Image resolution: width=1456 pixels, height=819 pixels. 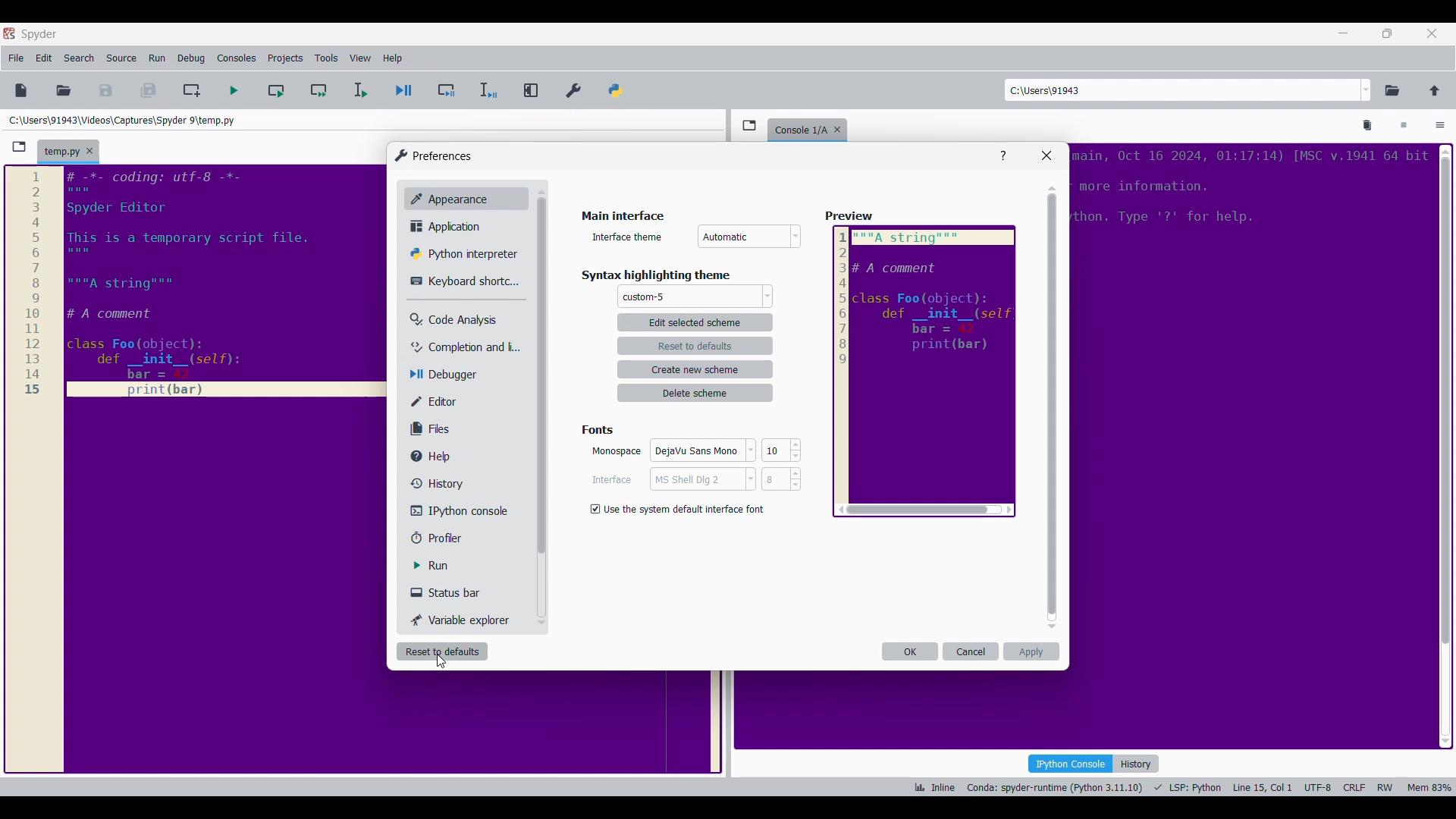 What do you see at coordinates (360, 91) in the screenshot?
I see `Run selection/current line` at bounding box center [360, 91].